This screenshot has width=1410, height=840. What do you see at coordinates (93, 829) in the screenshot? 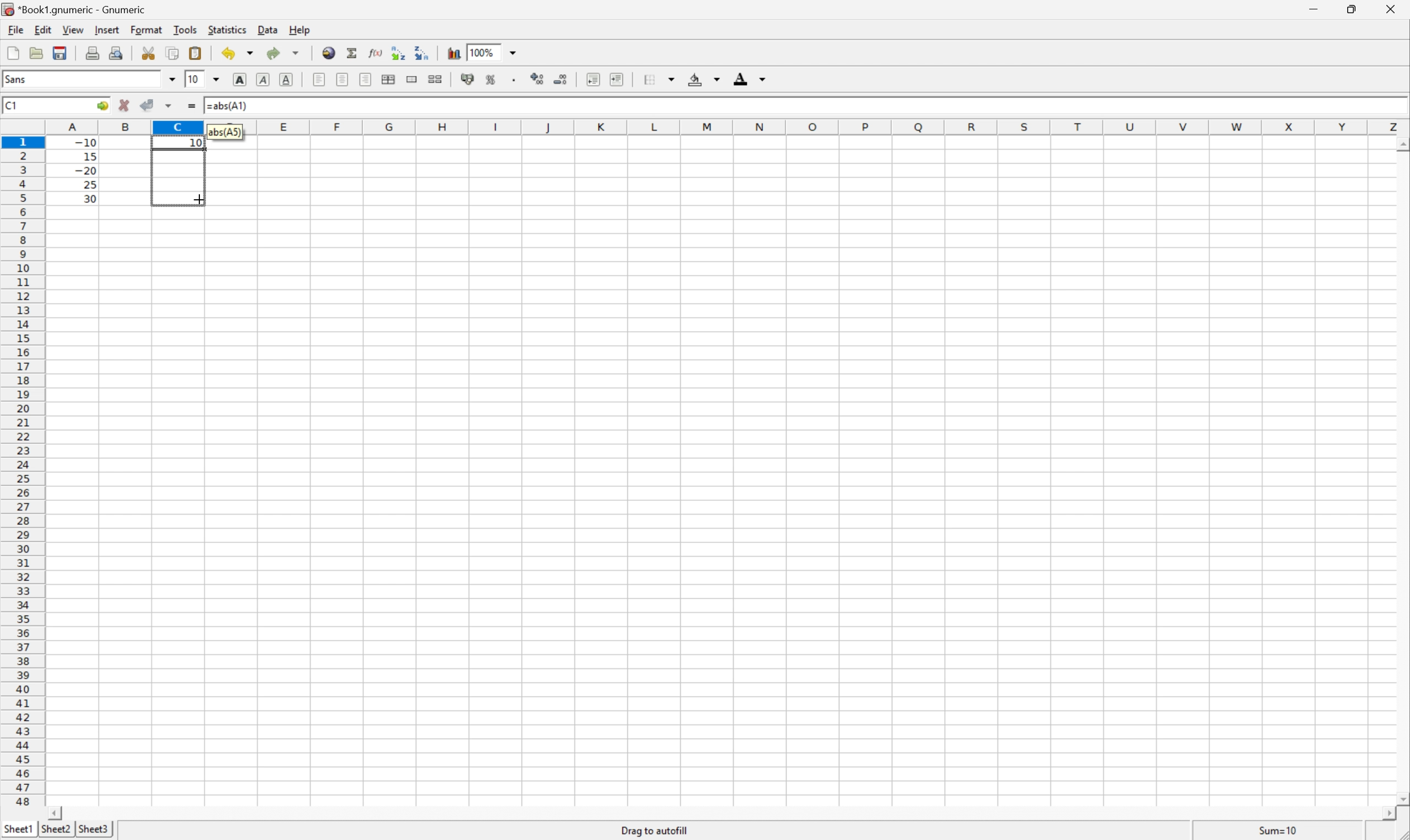
I see `Shee3` at bounding box center [93, 829].